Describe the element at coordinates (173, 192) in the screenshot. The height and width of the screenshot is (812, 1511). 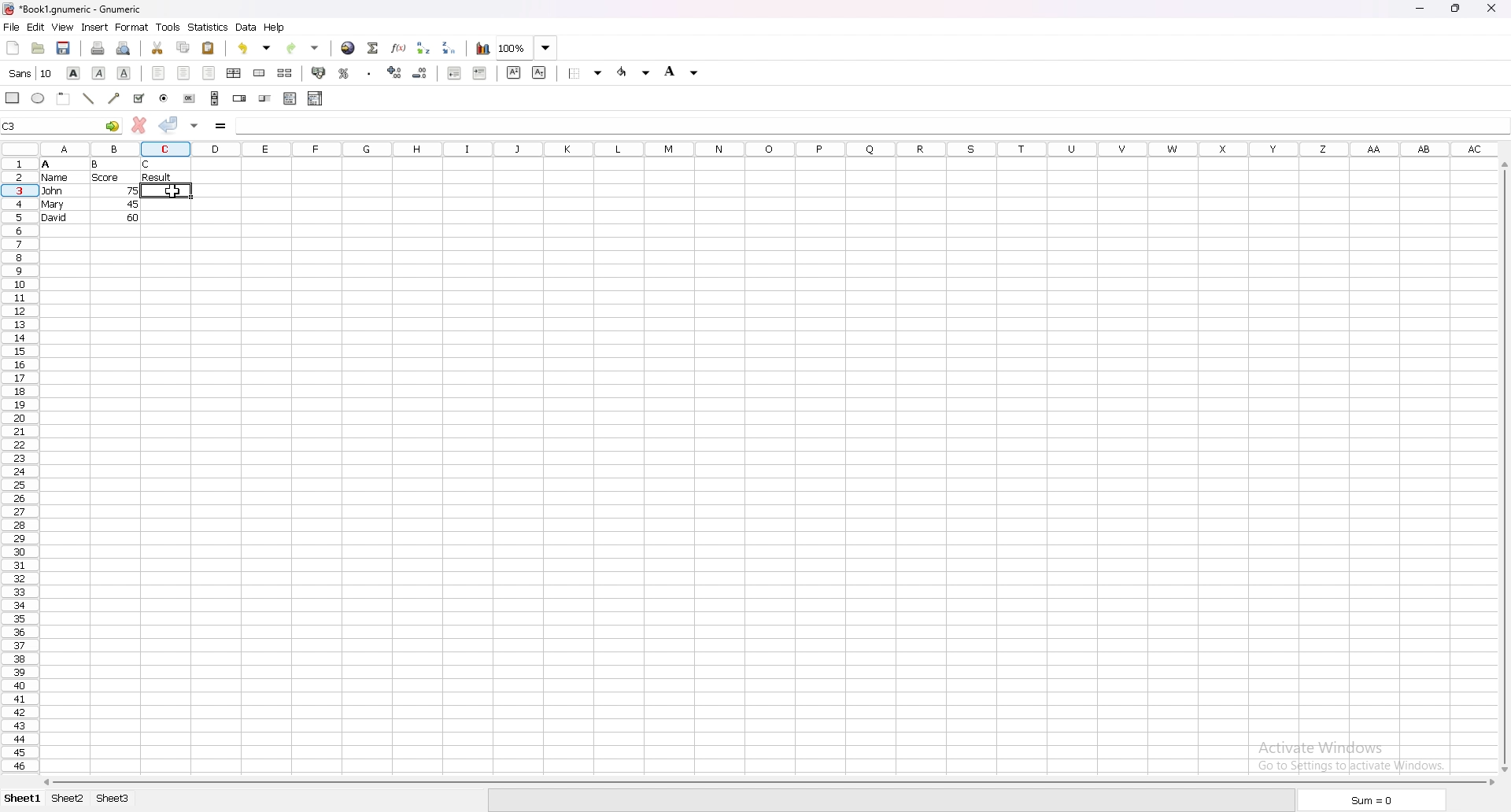
I see `cursor` at that location.